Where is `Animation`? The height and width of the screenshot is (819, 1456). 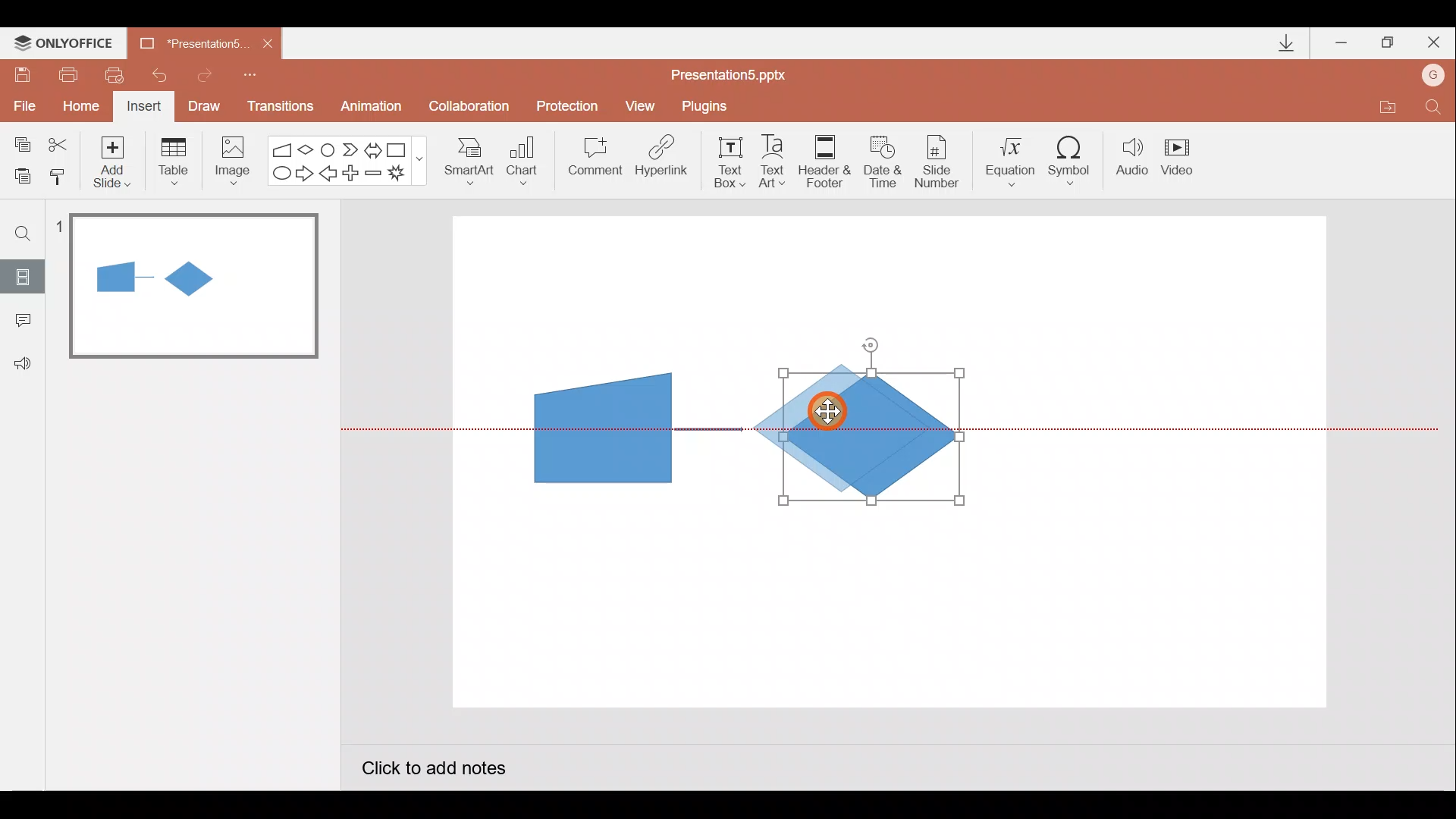 Animation is located at coordinates (373, 108).